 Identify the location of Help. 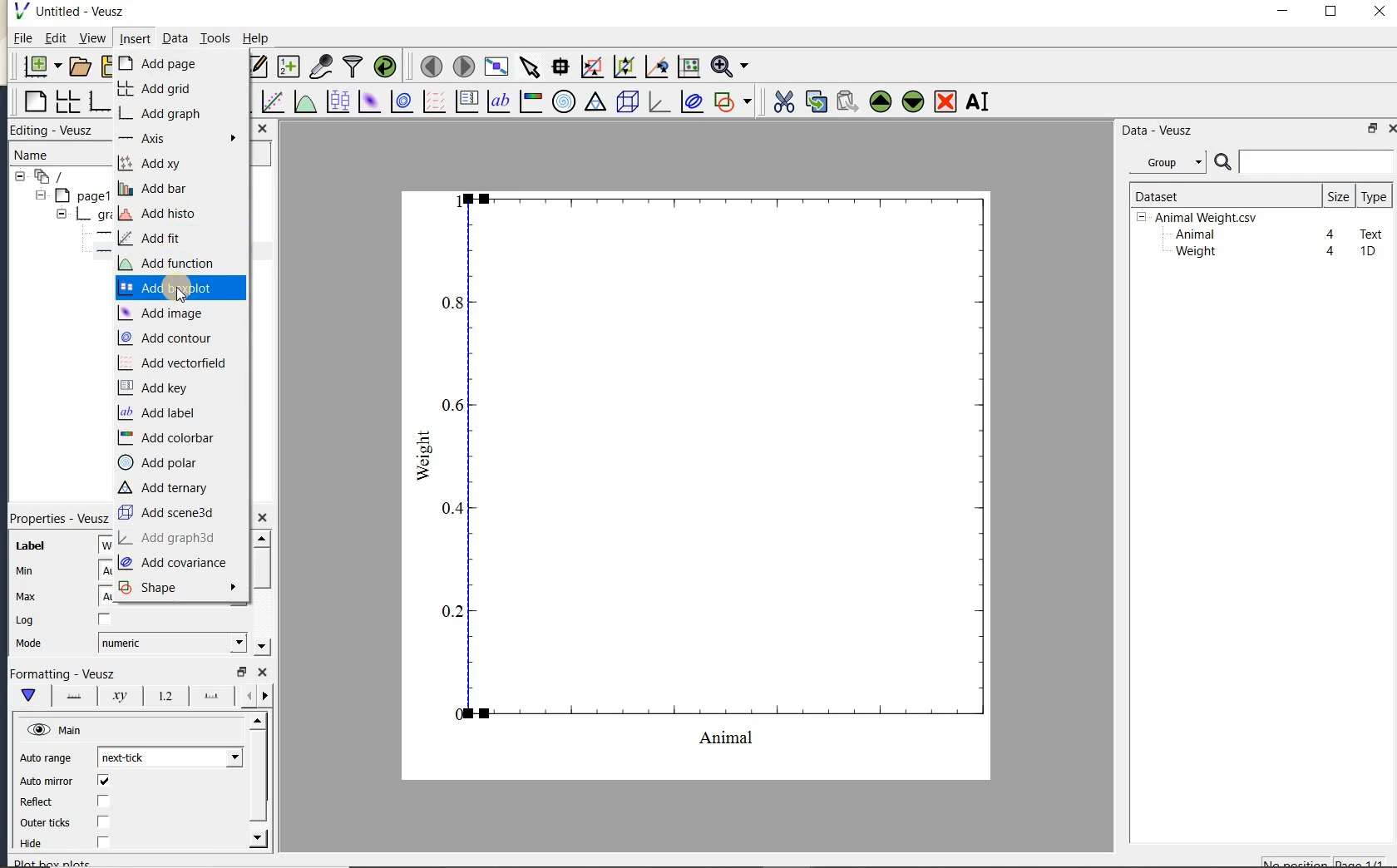
(255, 38).